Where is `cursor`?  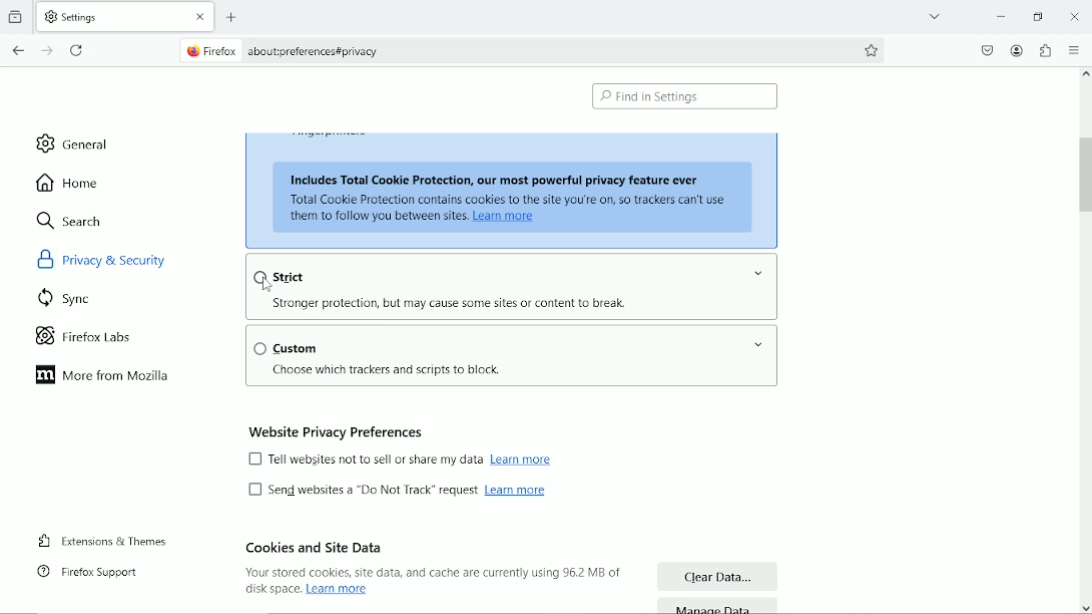
cursor is located at coordinates (267, 286).